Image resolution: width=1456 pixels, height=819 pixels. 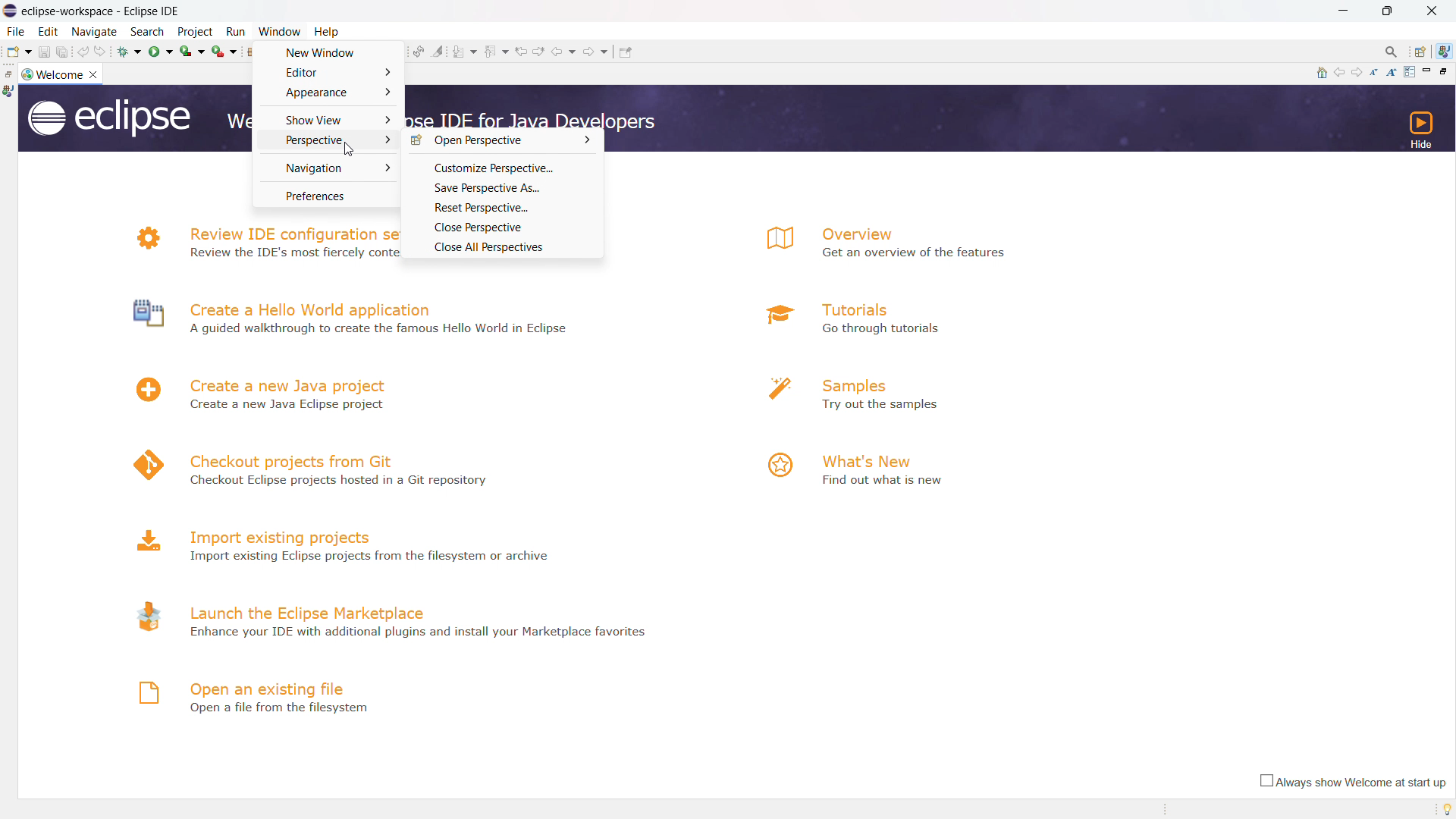 I want to click on coverage, so click(x=192, y=51).